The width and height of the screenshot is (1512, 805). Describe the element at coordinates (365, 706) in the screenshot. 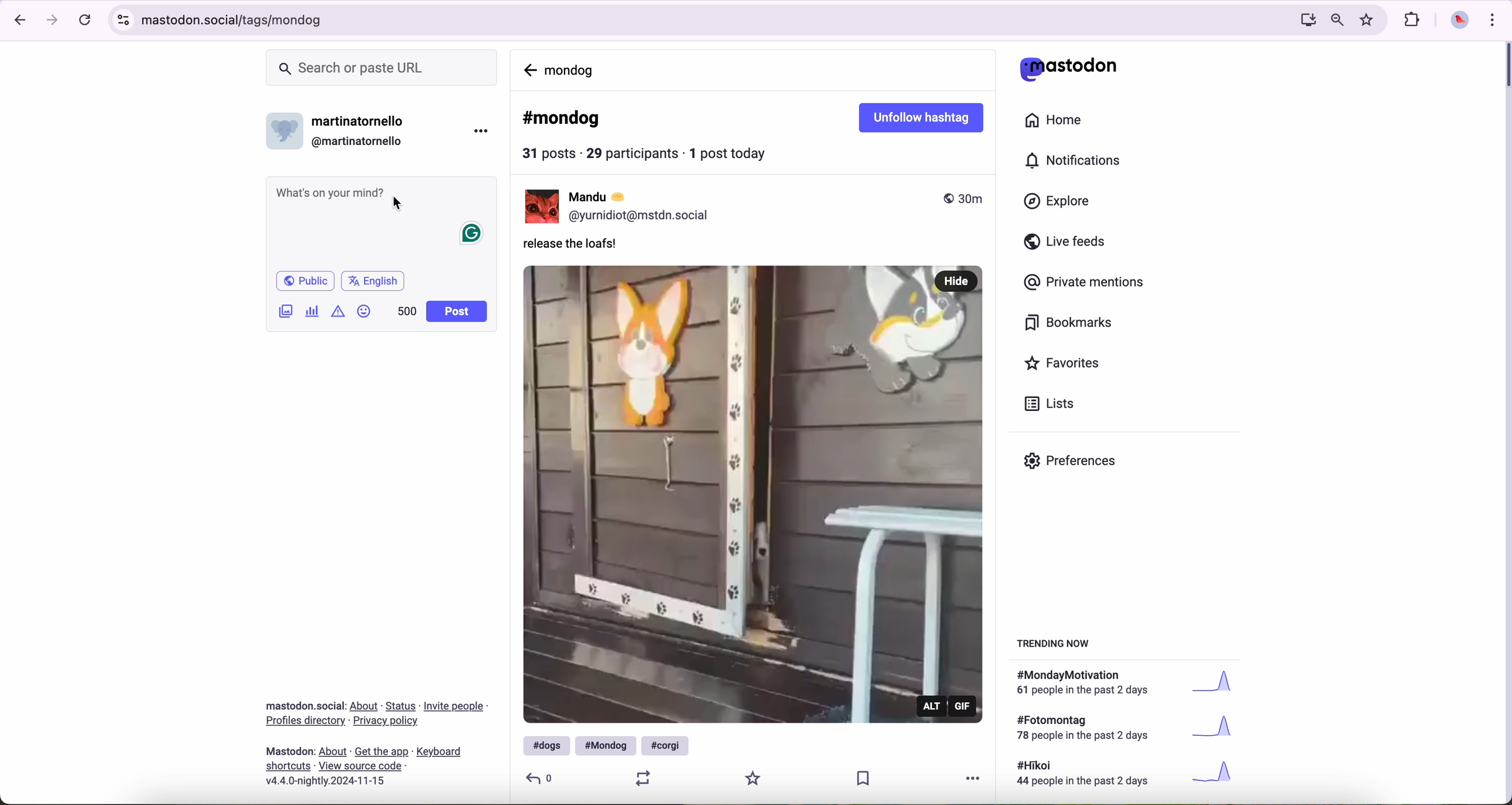

I see `link` at that location.